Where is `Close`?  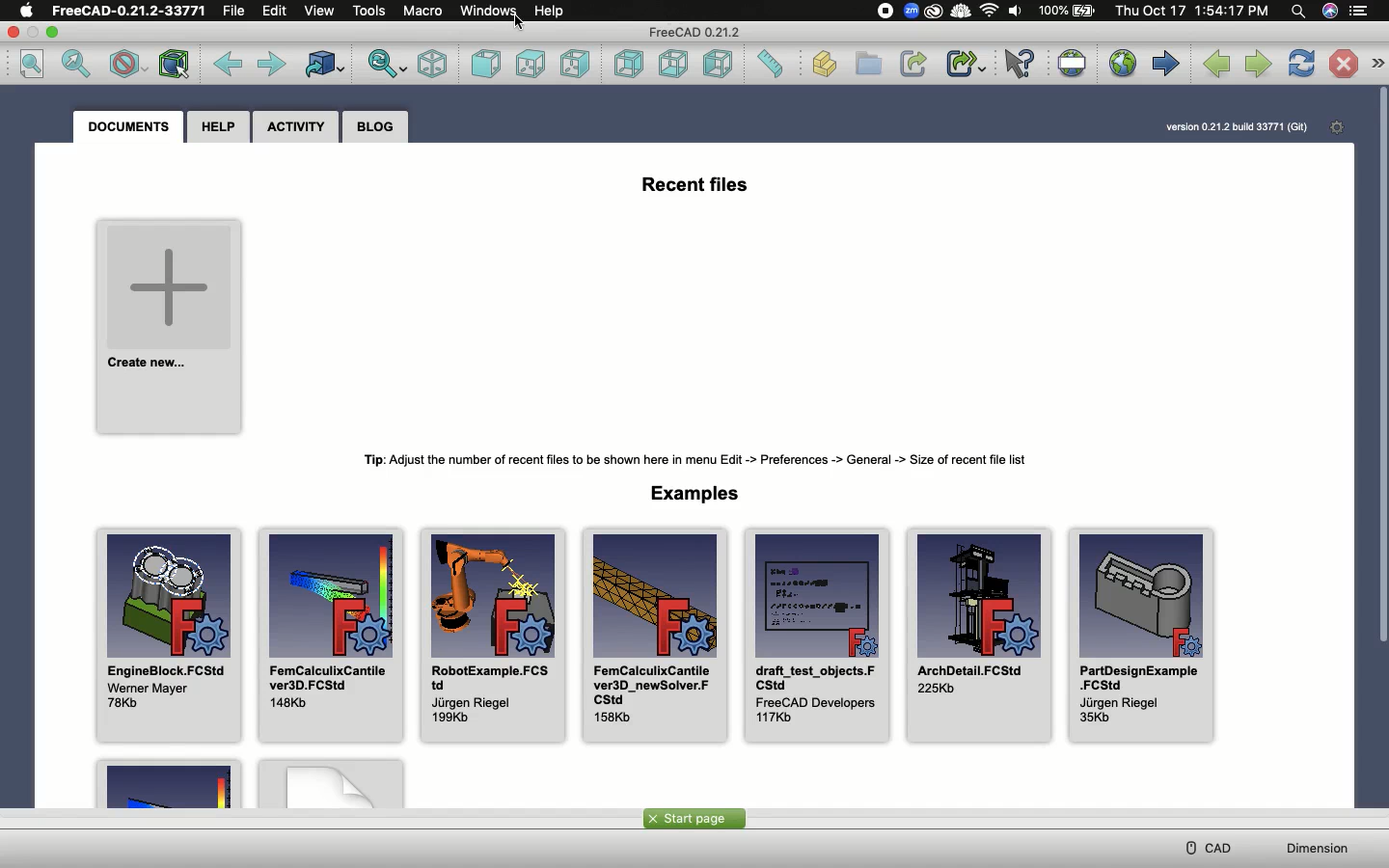 Close is located at coordinates (15, 32).